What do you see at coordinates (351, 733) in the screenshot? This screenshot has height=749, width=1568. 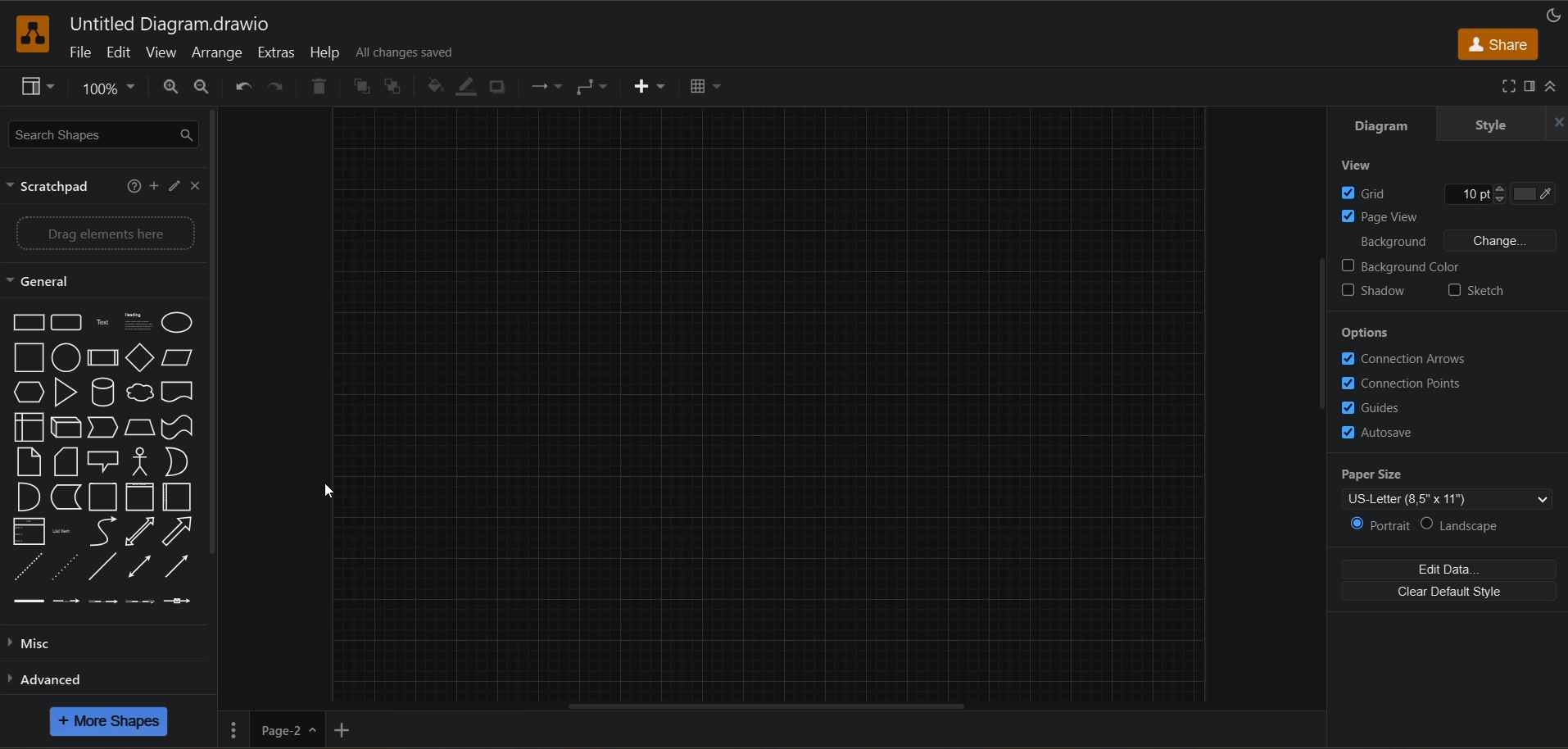 I see `page 2` at bounding box center [351, 733].